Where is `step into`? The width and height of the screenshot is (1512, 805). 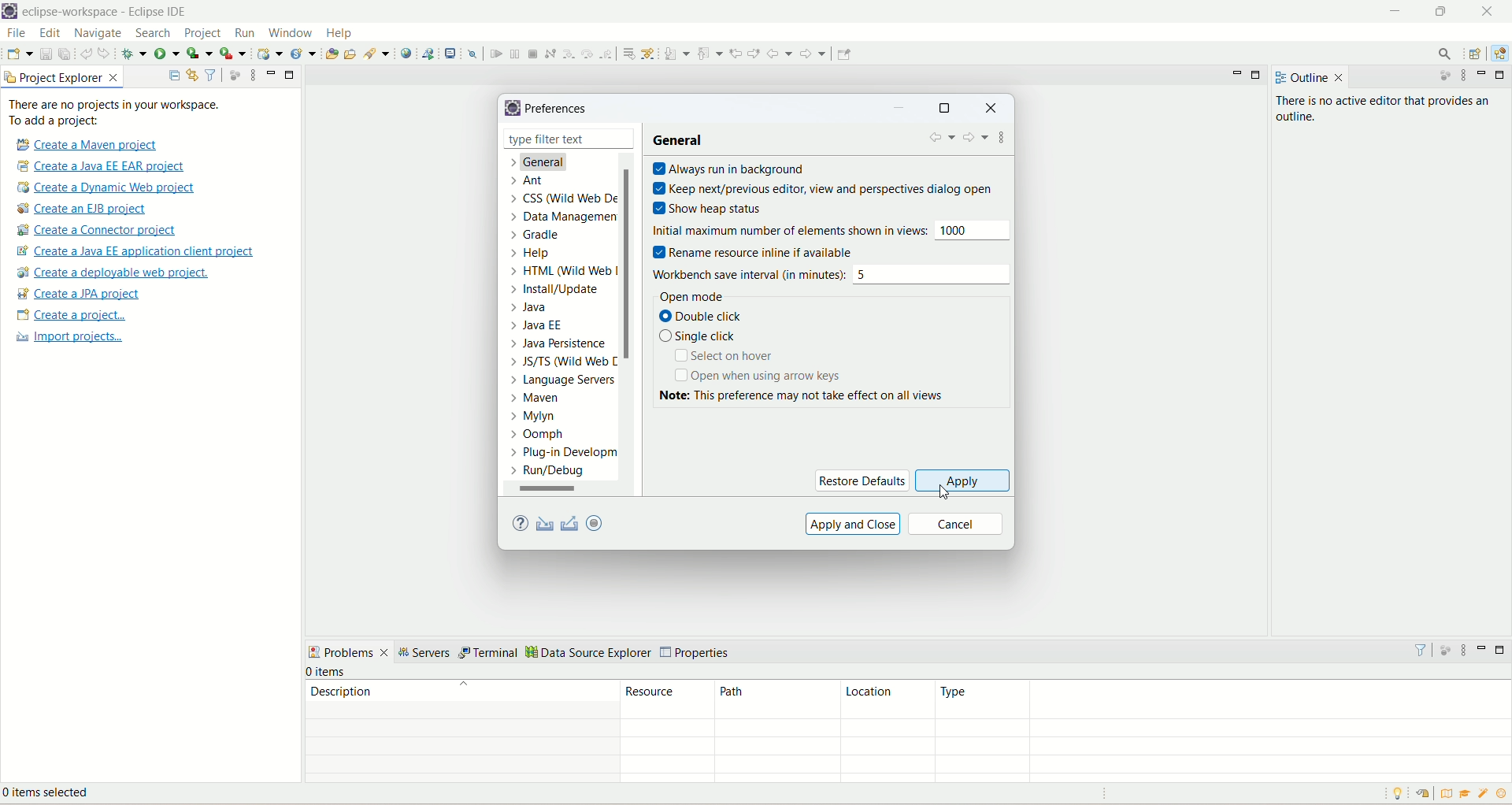 step into is located at coordinates (567, 54).